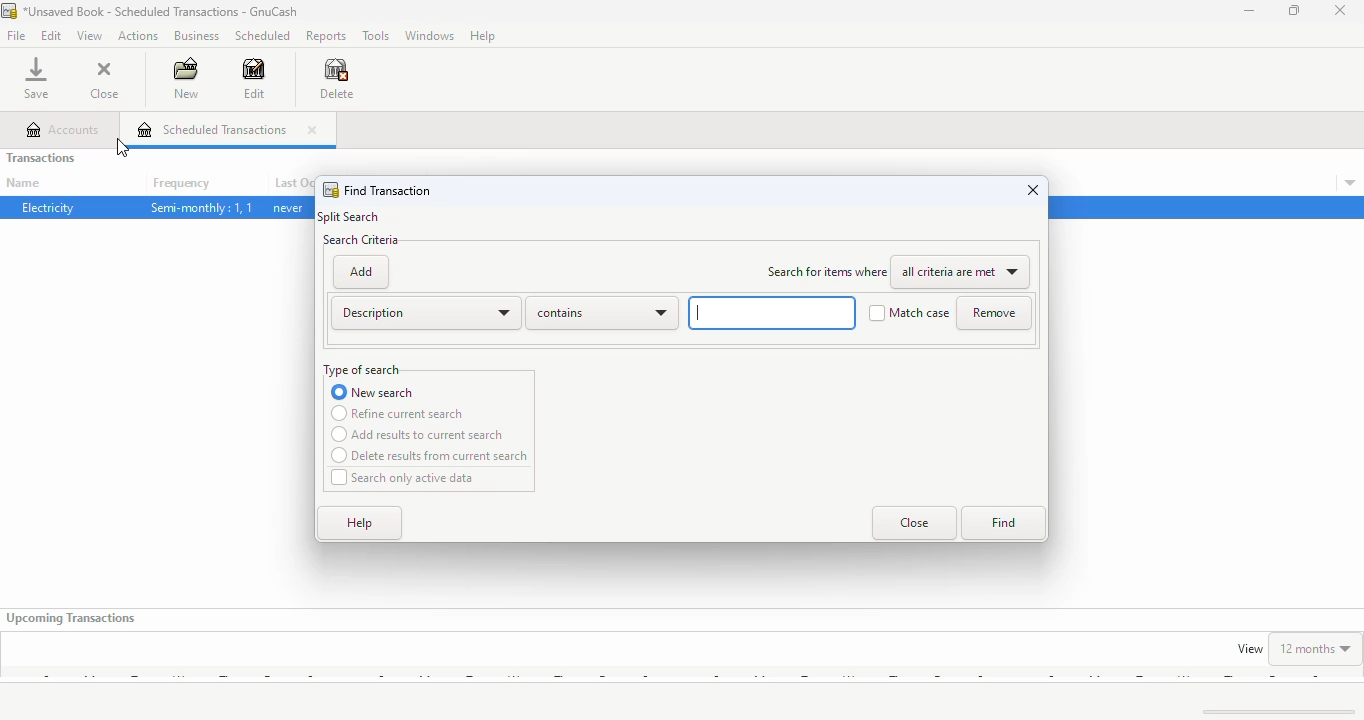 Image resolution: width=1364 pixels, height=720 pixels. Describe the element at coordinates (36, 78) in the screenshot. I see `save` at that location.